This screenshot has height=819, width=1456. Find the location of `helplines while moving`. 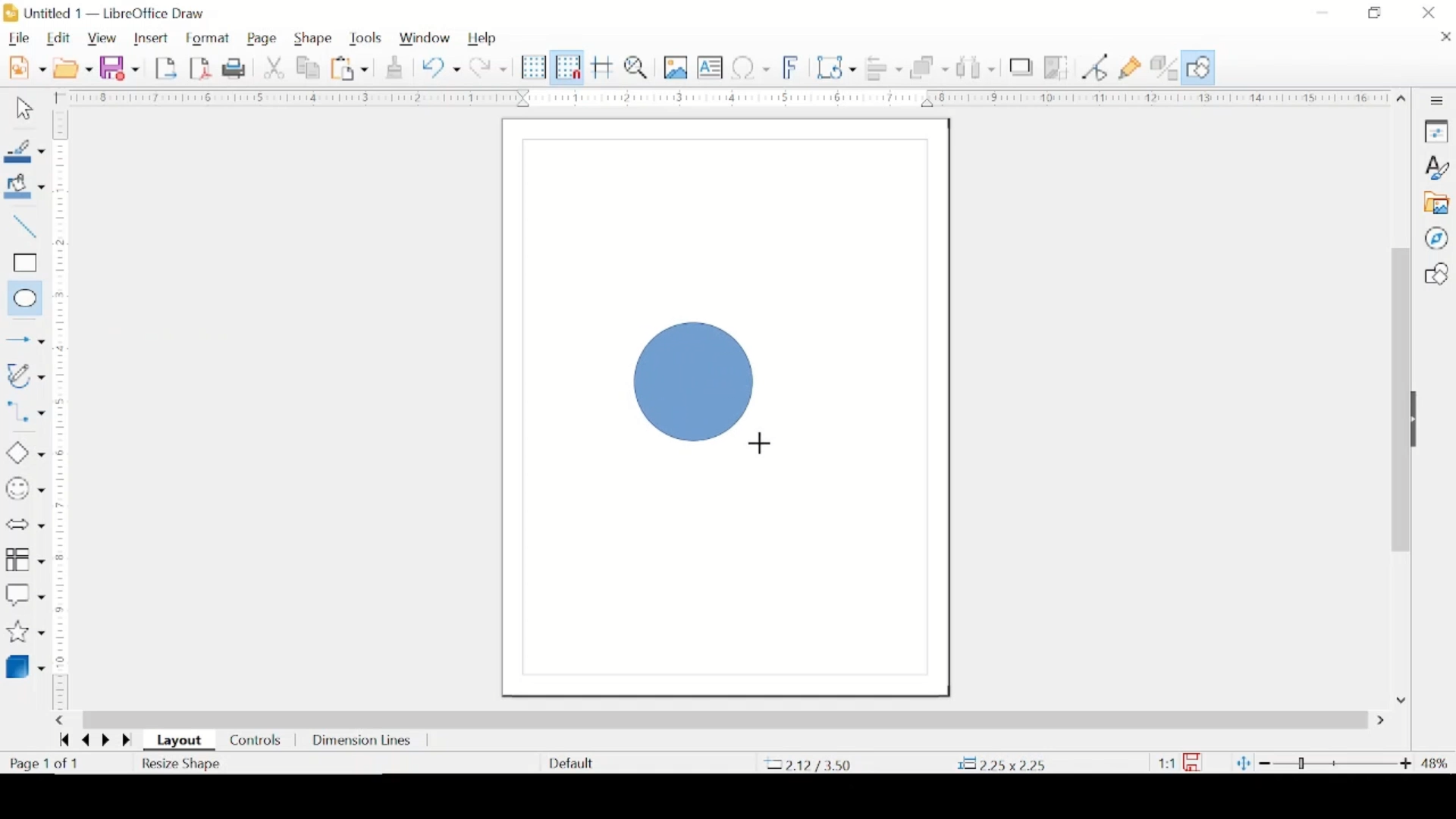

helplines while moving is located at coordinates (603, 67).